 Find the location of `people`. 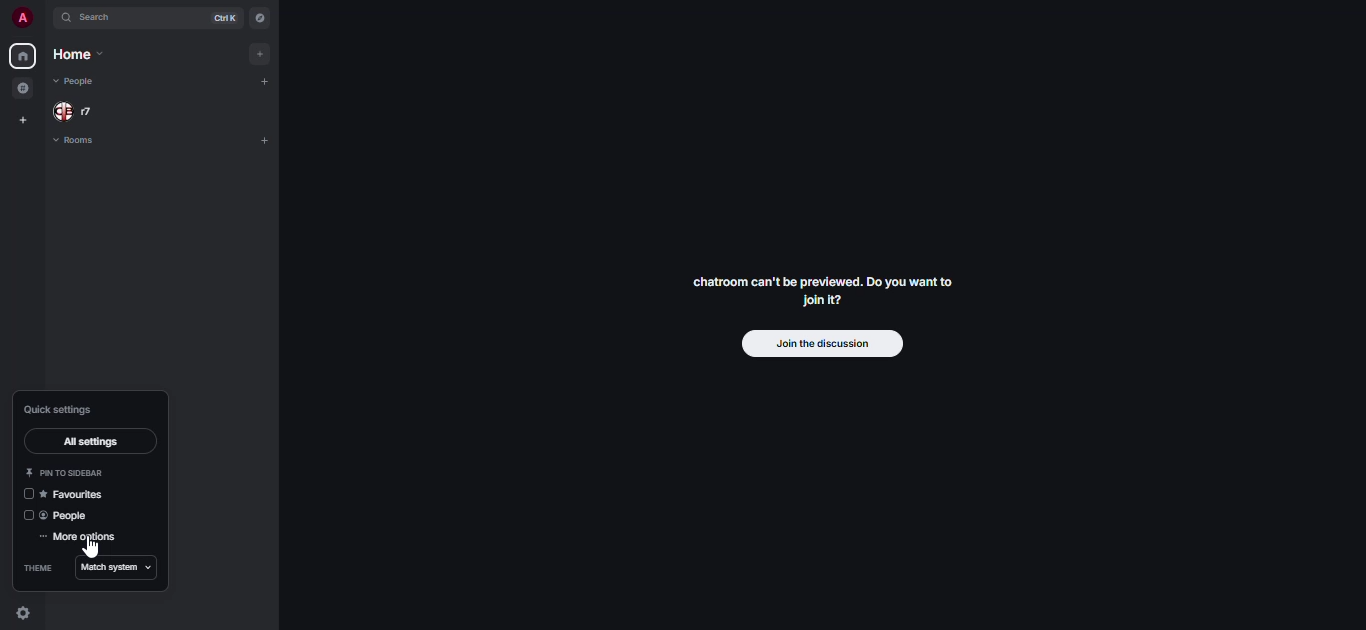

people is located at coordinates (69, 517).